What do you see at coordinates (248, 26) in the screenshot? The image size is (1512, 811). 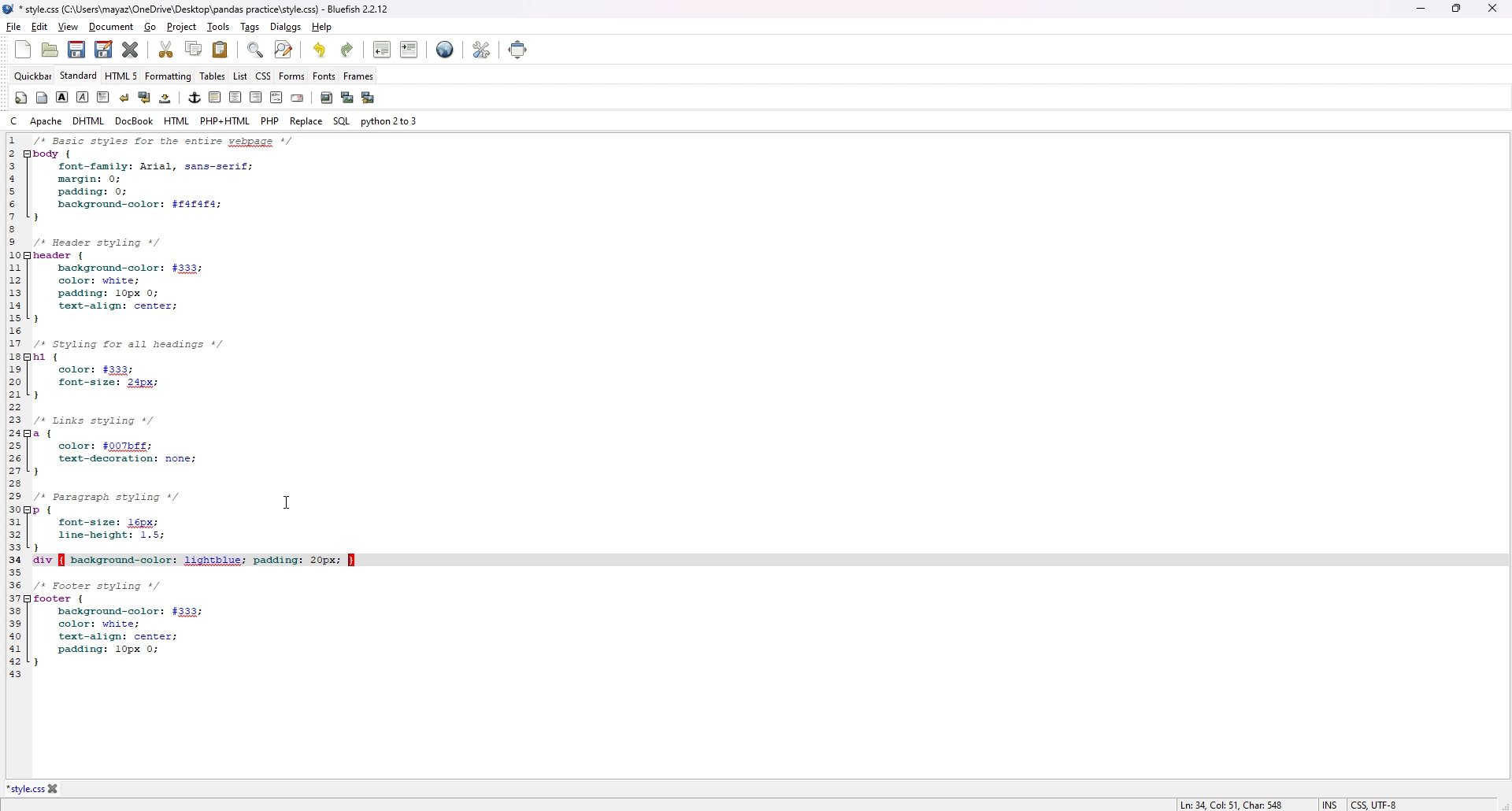 I see `tags` at bounding box center [248, 26].